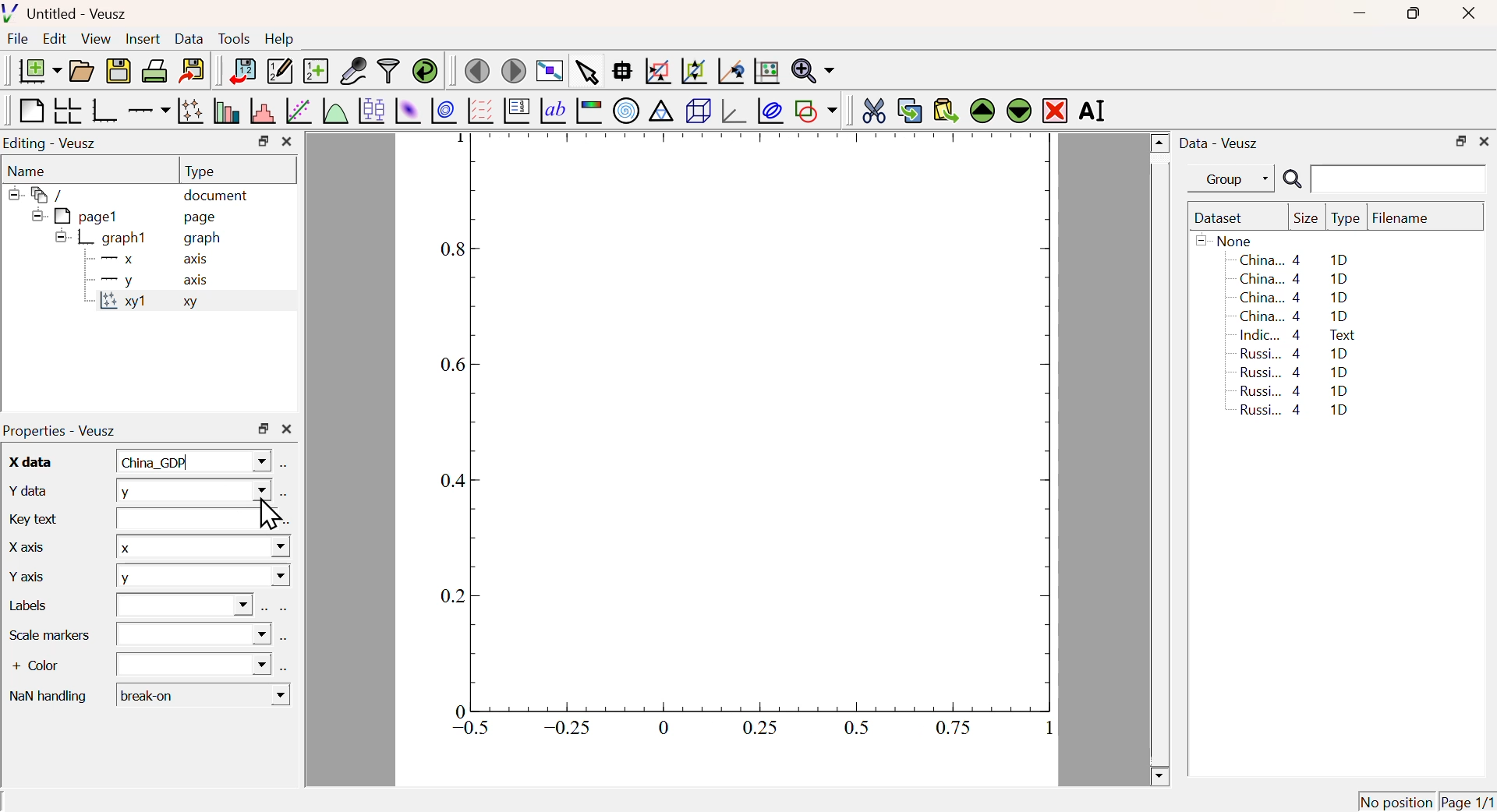 The image size is (1497, 812). Describe the element at coordinates (1292, 180) in the screenshot. I see `Search` at that location.